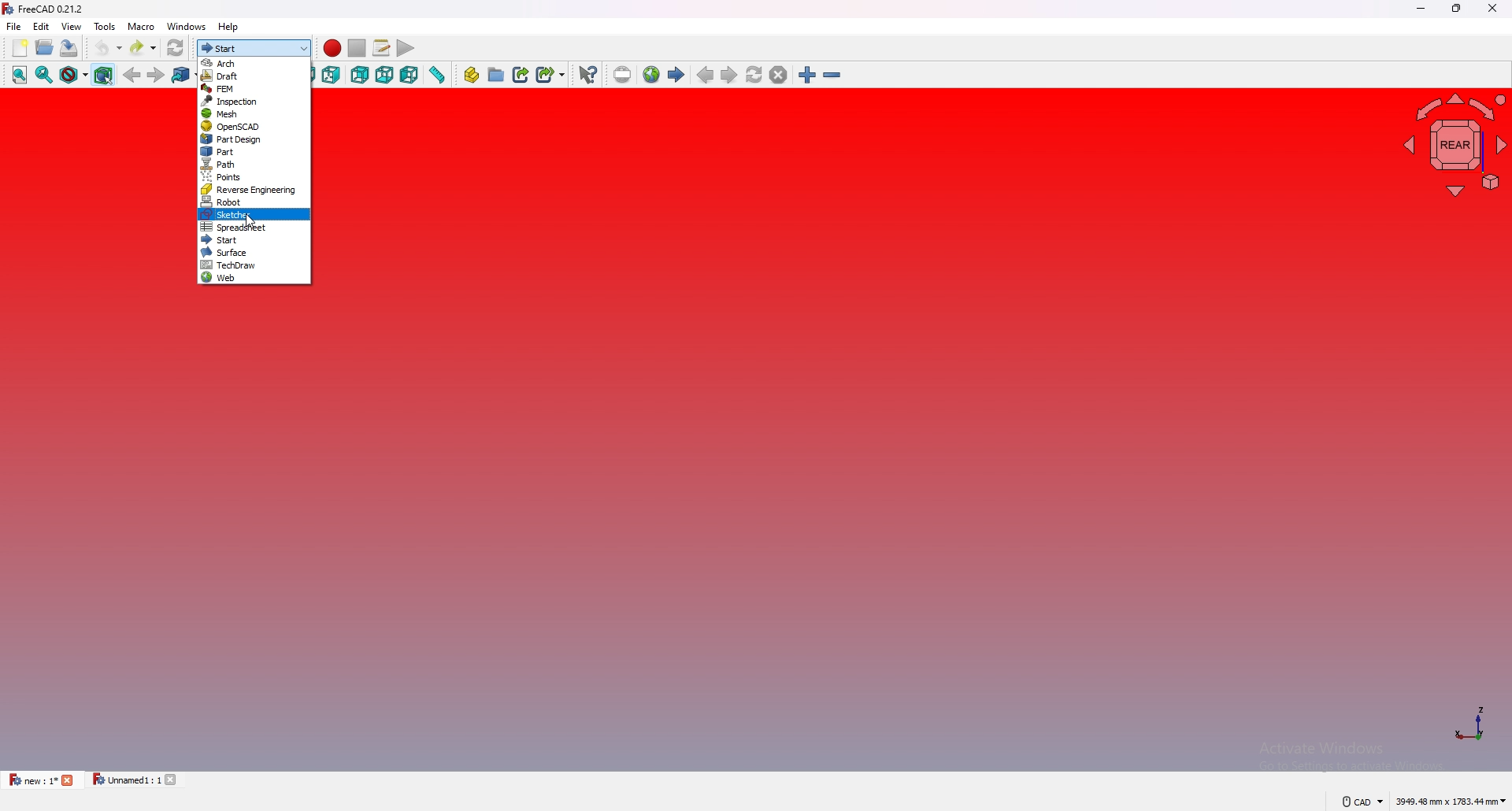 The width and height of the screenshot is (1512, 811). What do you see at coordinates (255, 47) in the screenshot?
I see `start` at bounding box center [255, 47].